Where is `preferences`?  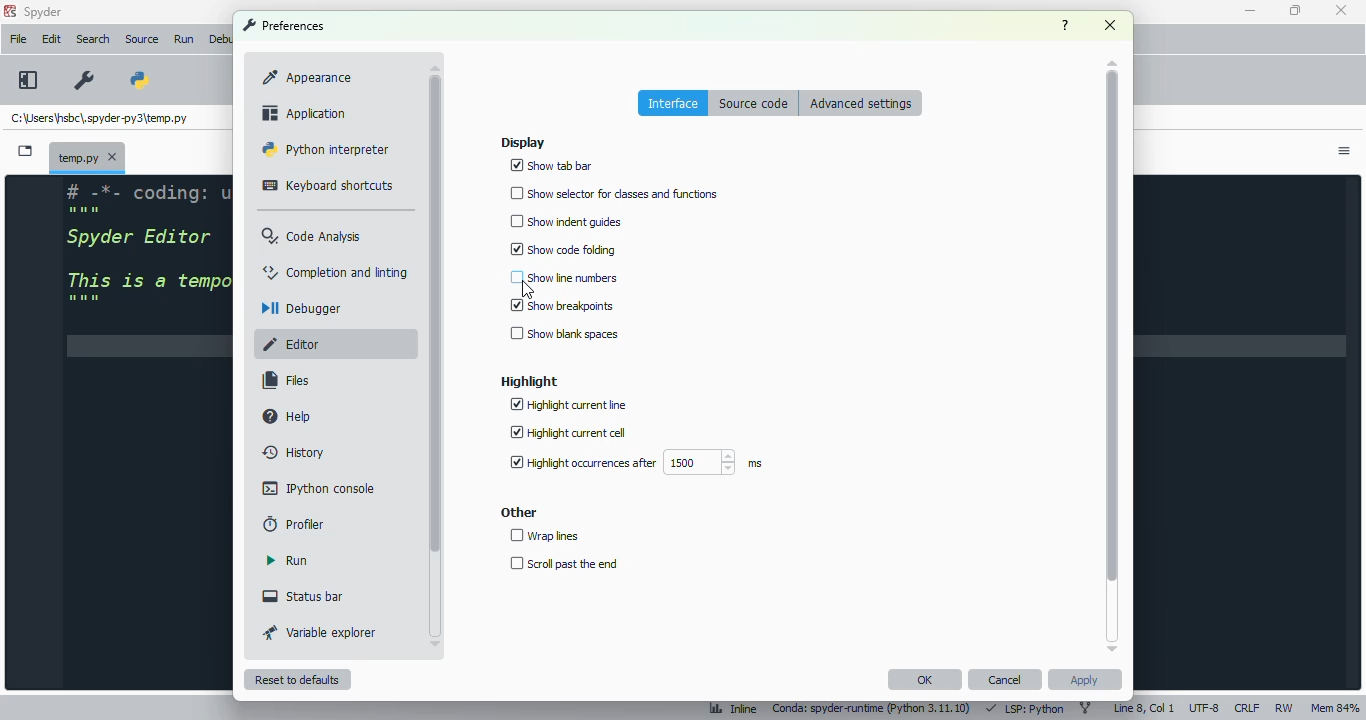
preferences is located at coordinates (284, 25).